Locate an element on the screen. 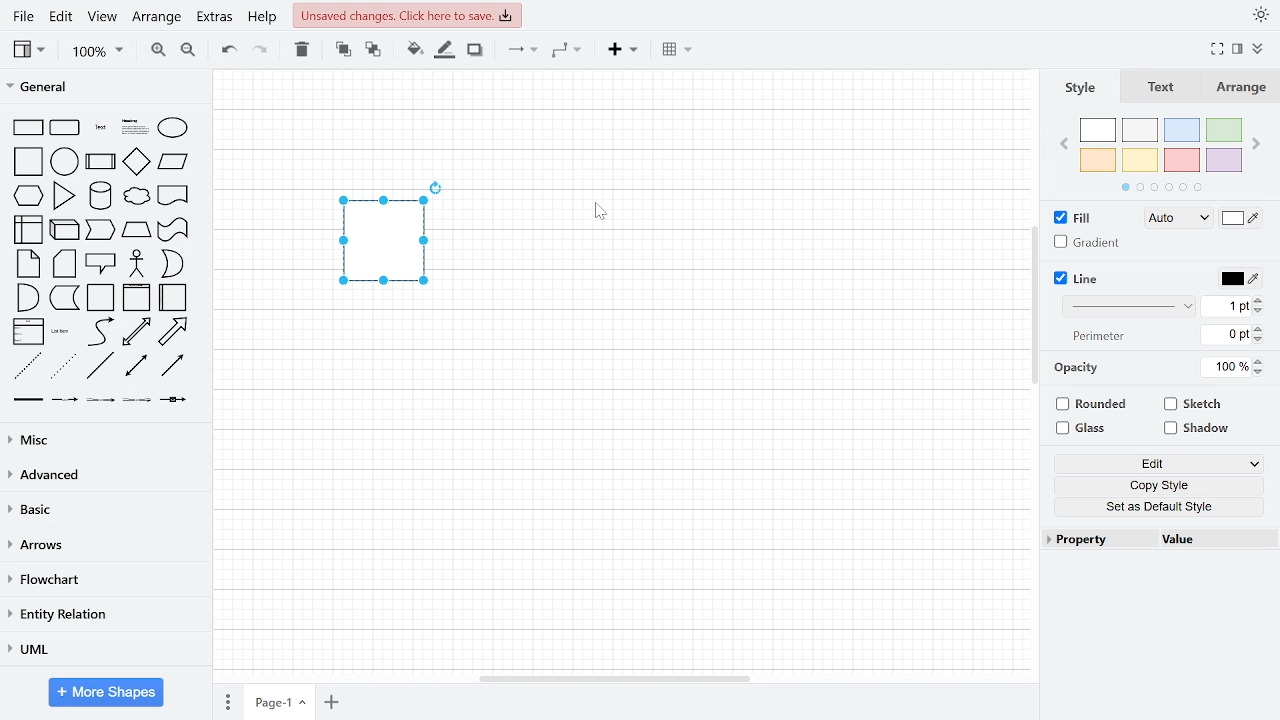 The image size is (1280, 720). tape is located at coordinates (174, 229).